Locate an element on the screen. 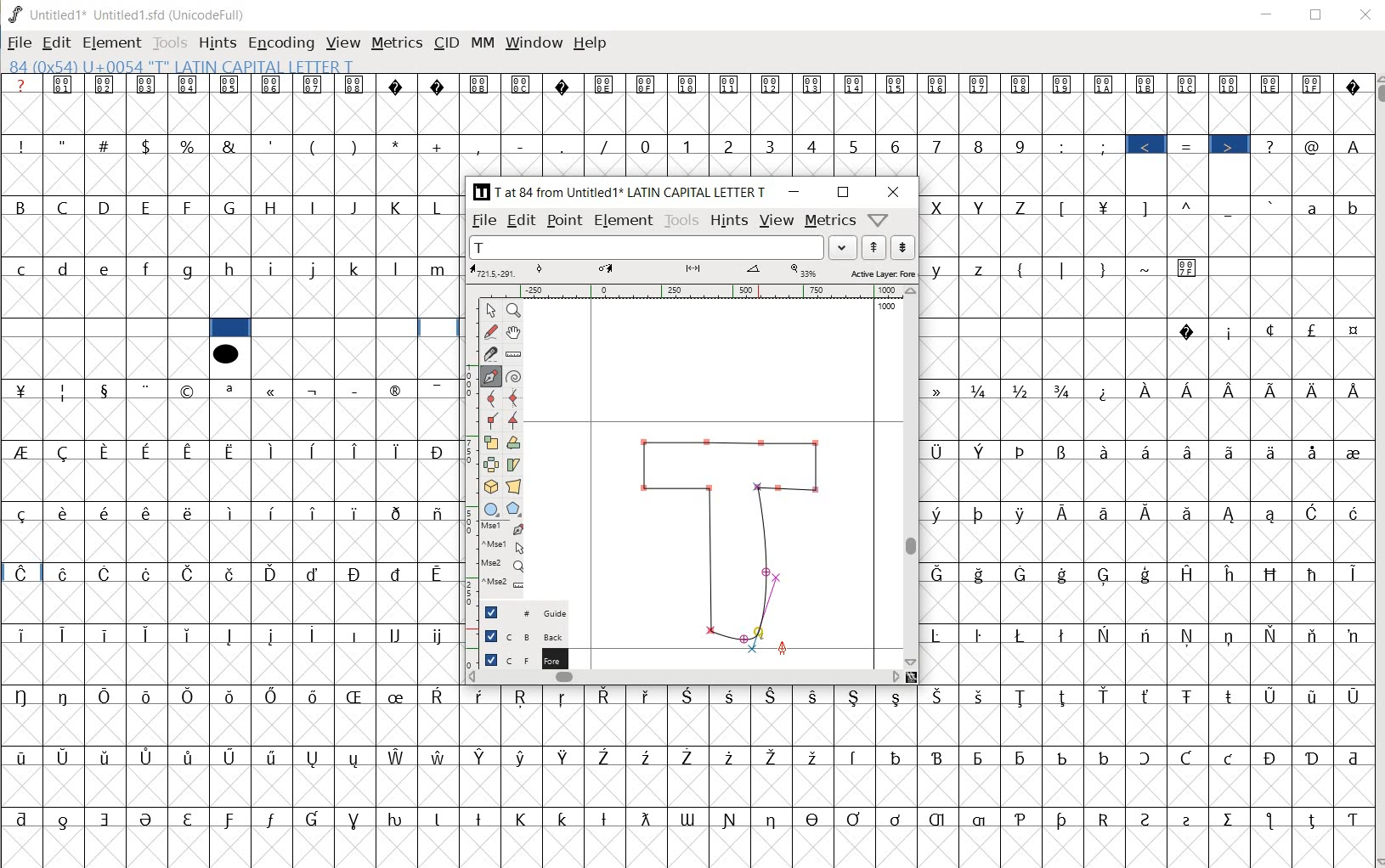 The height and width of the screenshot is (868, 1385). close is located at coordinates (894, 192).